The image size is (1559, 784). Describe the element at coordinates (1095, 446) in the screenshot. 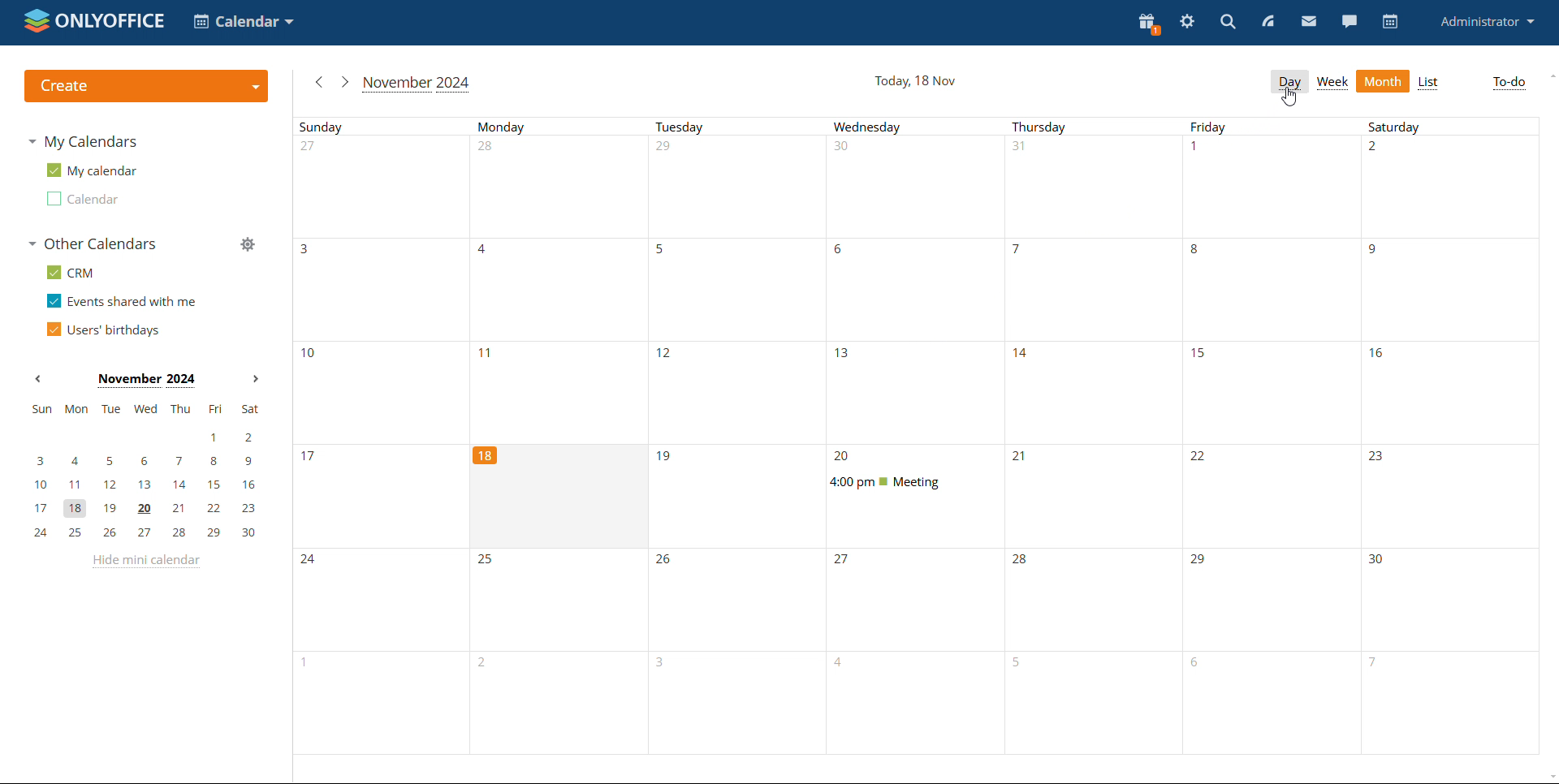

I see `Thursday` at that location.